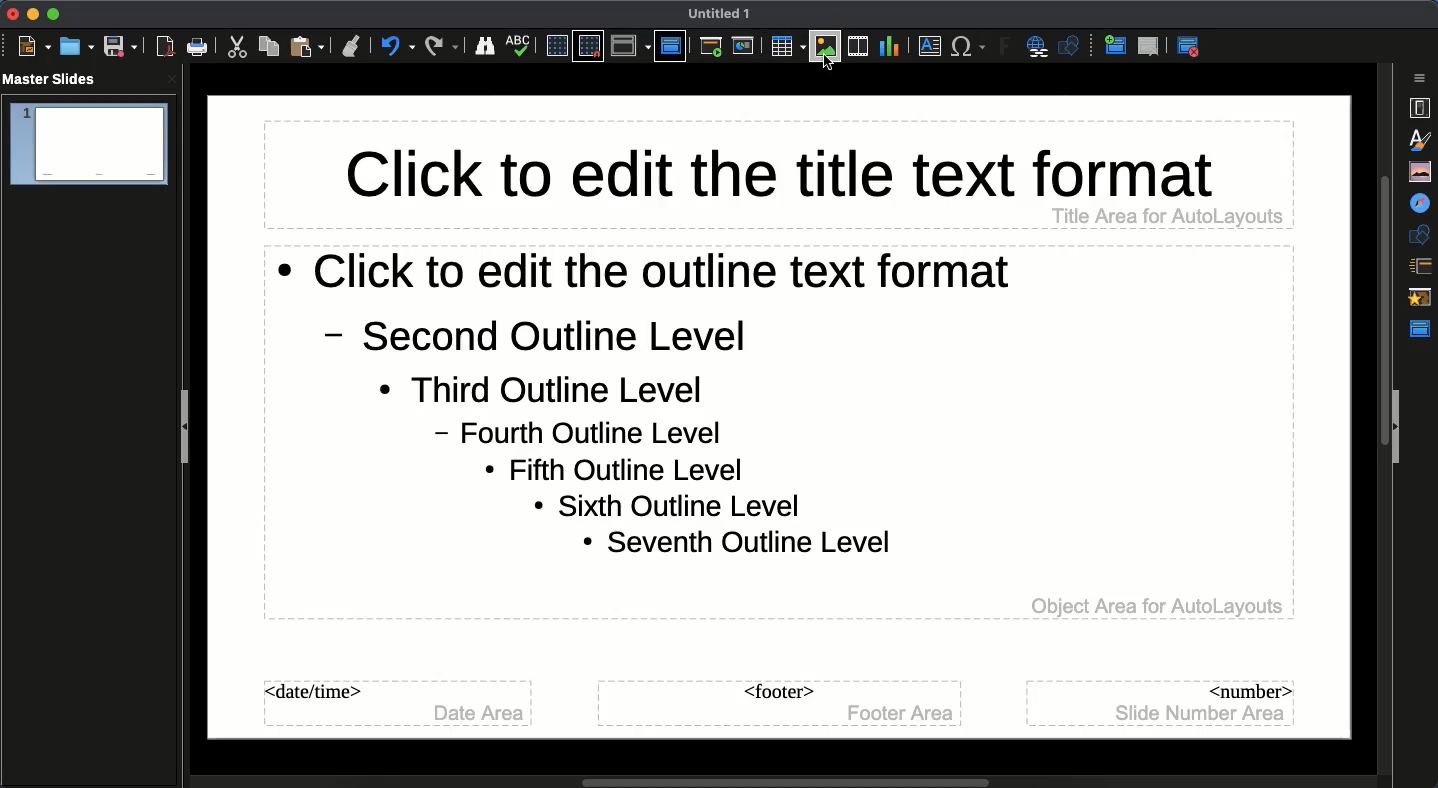 This screenshot has height=788, width=1438. What do you see at coordinates (1422, 204) in the screenshot?
I see `Navigator` at bounding box center [1422, 204].